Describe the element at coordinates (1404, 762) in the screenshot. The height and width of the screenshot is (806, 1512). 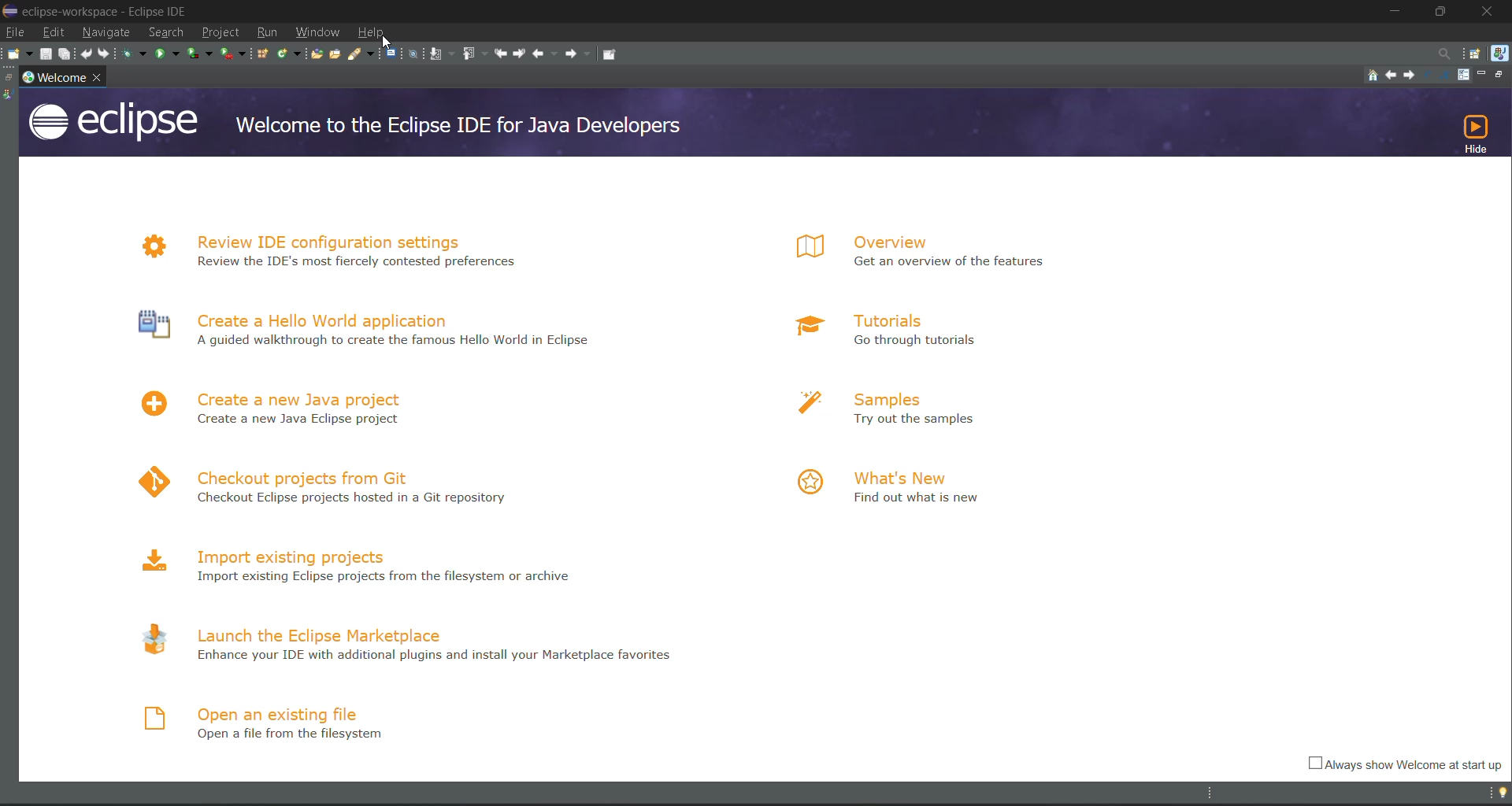
I see `Always show welcome at start up` at that location.